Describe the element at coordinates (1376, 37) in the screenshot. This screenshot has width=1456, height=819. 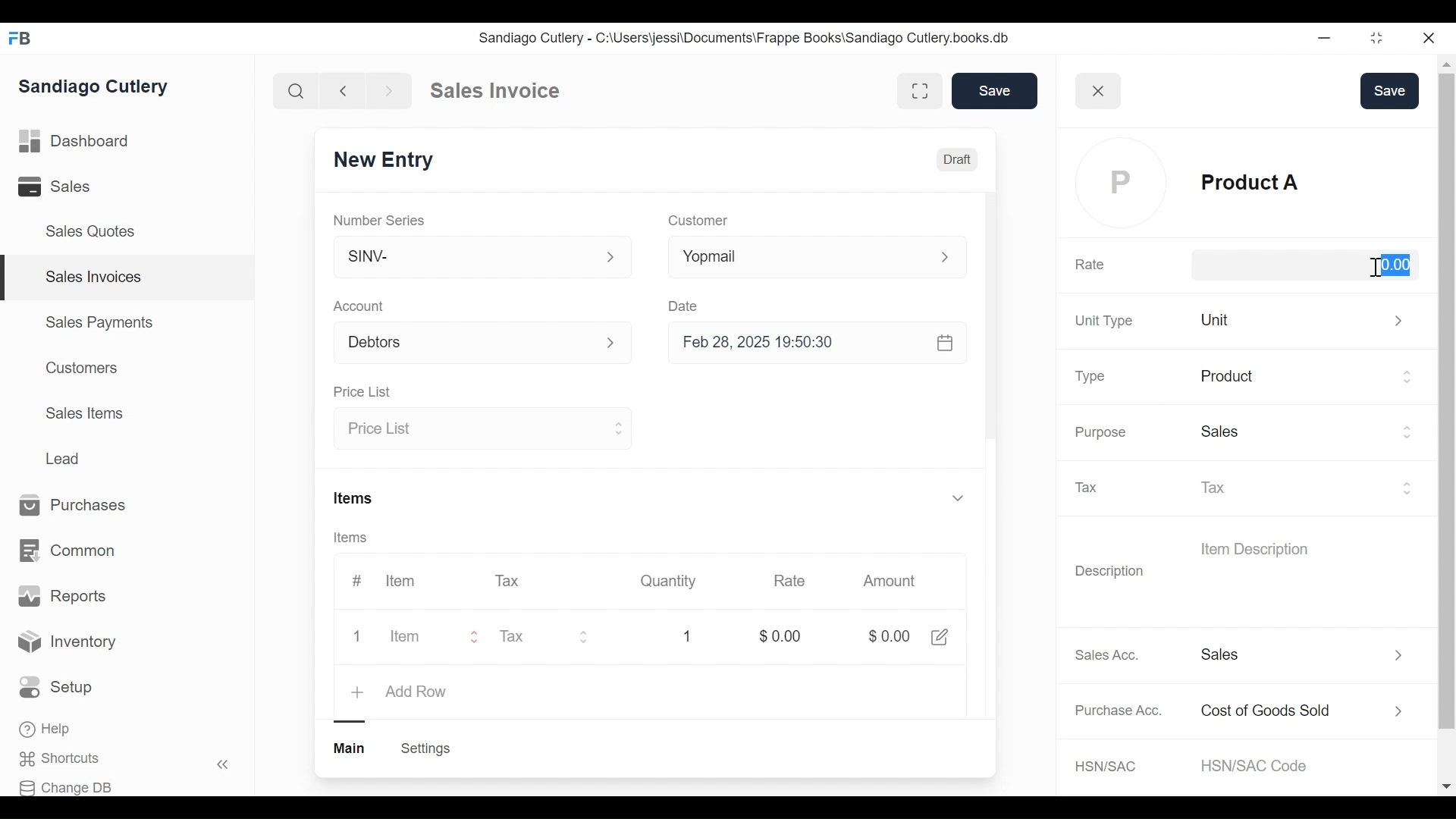
I see `restore` at that location.